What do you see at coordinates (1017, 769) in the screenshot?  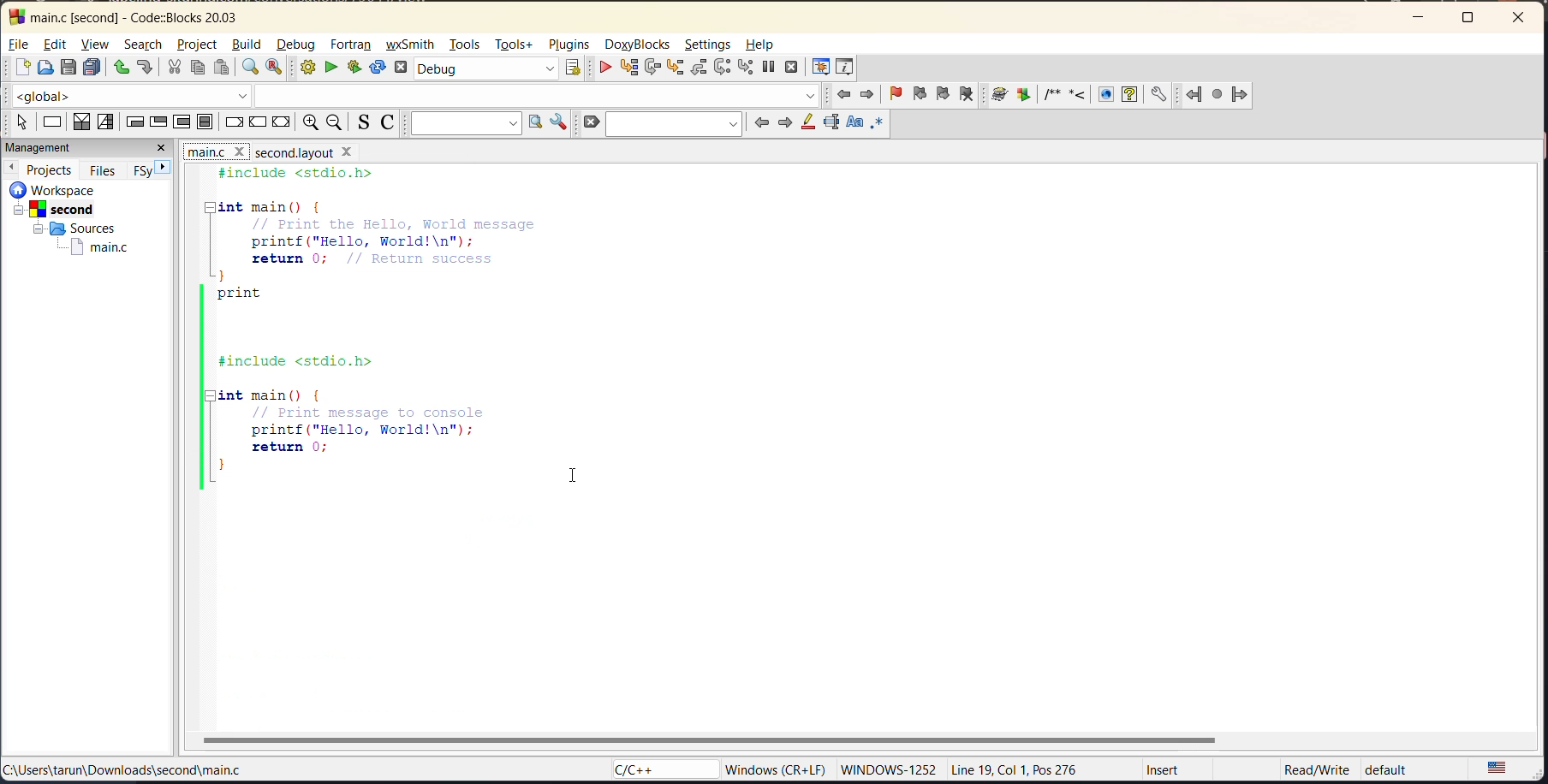 I see `Line 19, Col 1, Pos 276` at bounding box center [1017, 769].